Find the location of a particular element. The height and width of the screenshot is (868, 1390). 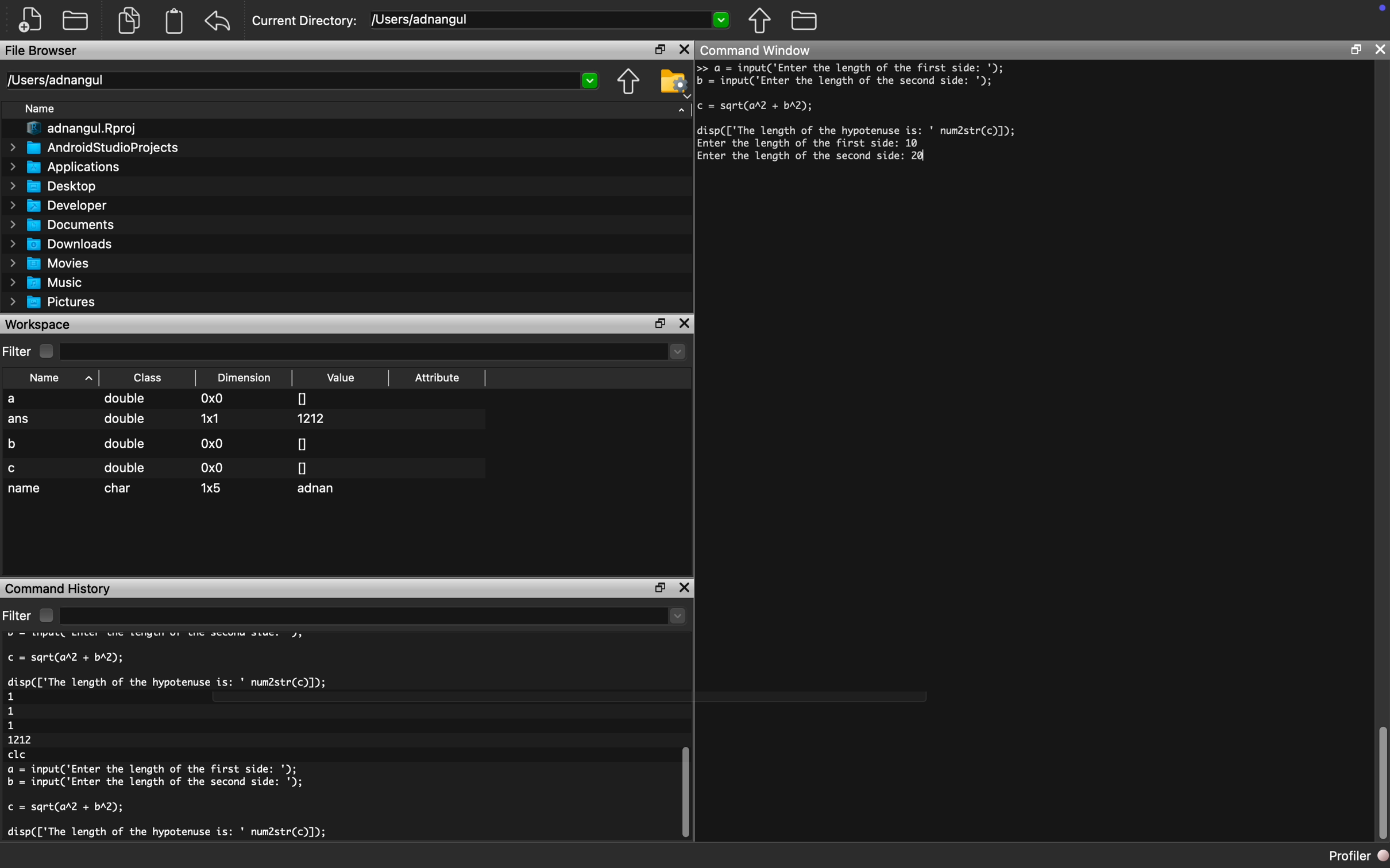

move up is located at coordinates (628, 83).